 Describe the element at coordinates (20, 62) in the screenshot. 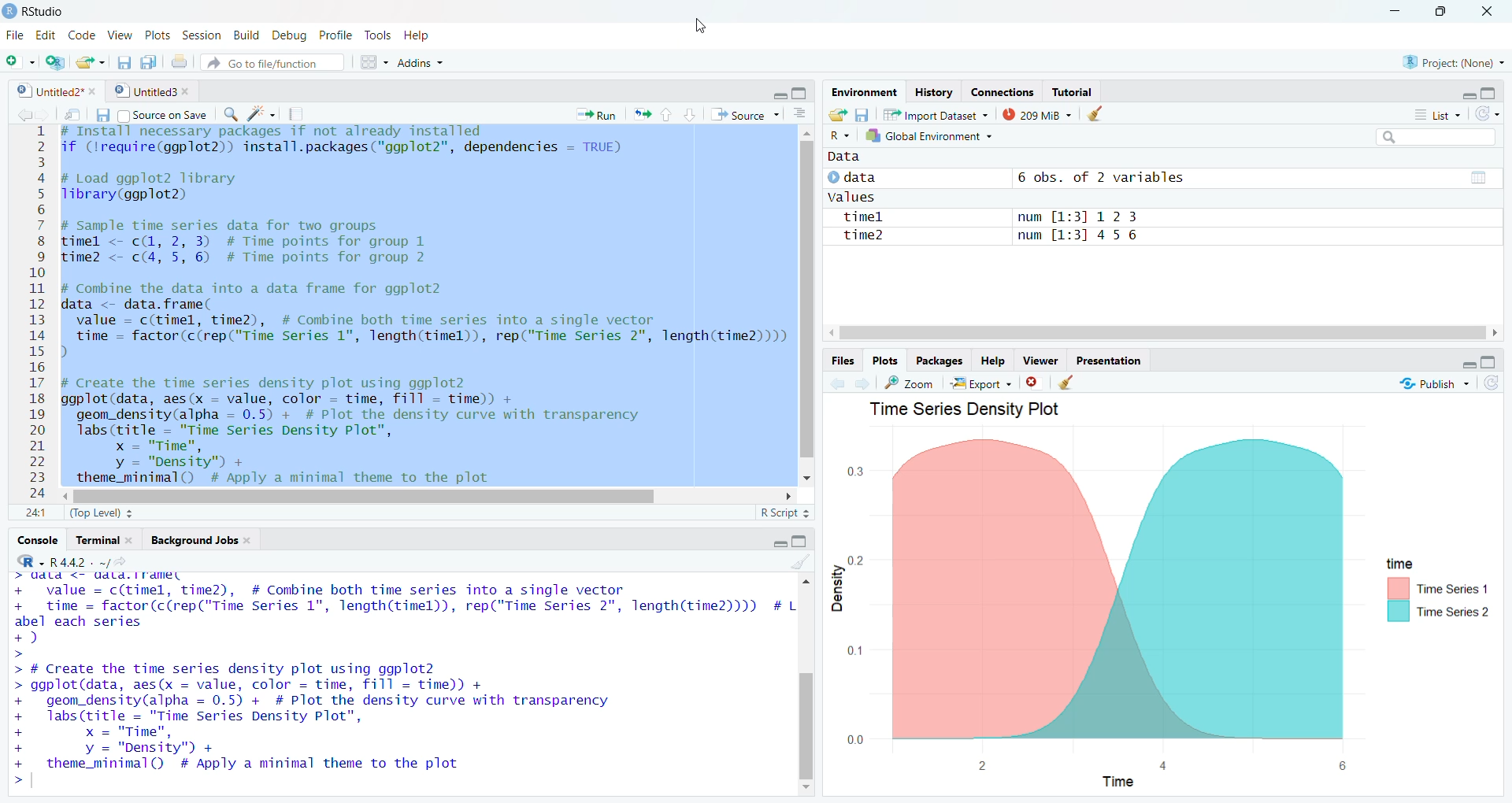

I see `New file` at that location.